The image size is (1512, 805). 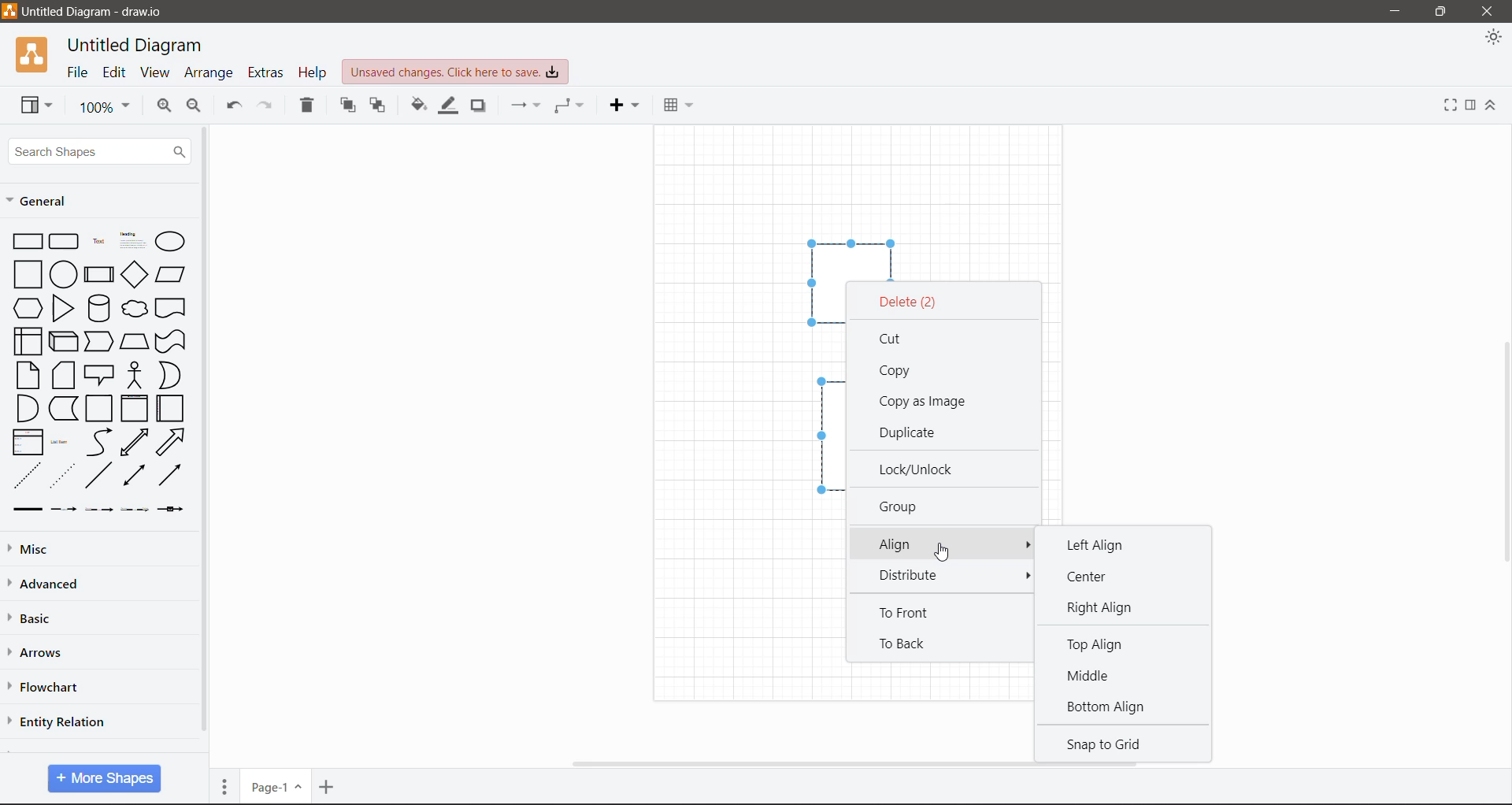 What do you see at coordinates (225, 785) in the screenshot?
I see `Pages` at bounding box center [225, 785].